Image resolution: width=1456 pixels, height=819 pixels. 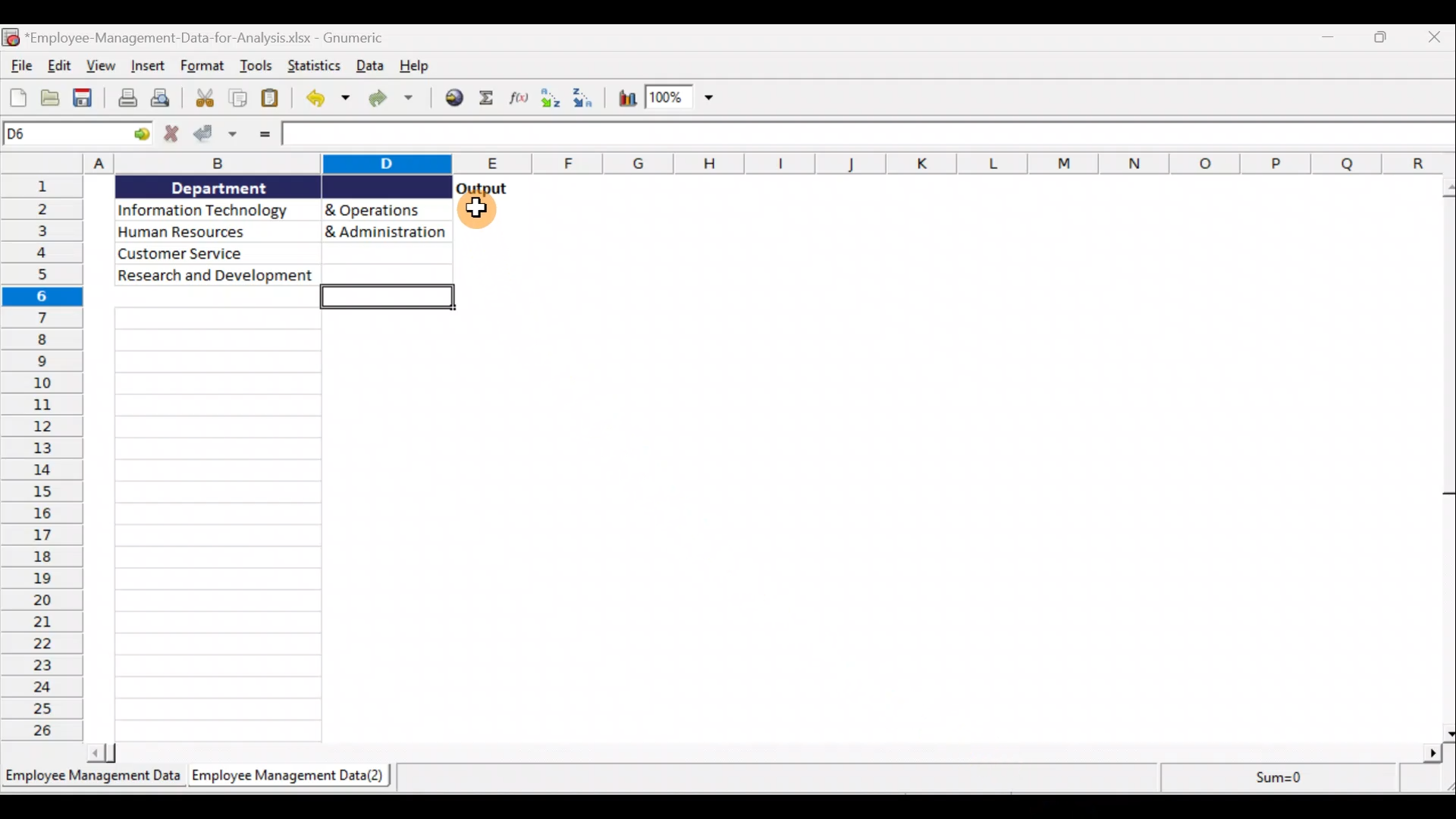 What do you see at coordinates (94, 781) in the screenshot?
I see `Sheet 1` at bounding box center [94, 781].